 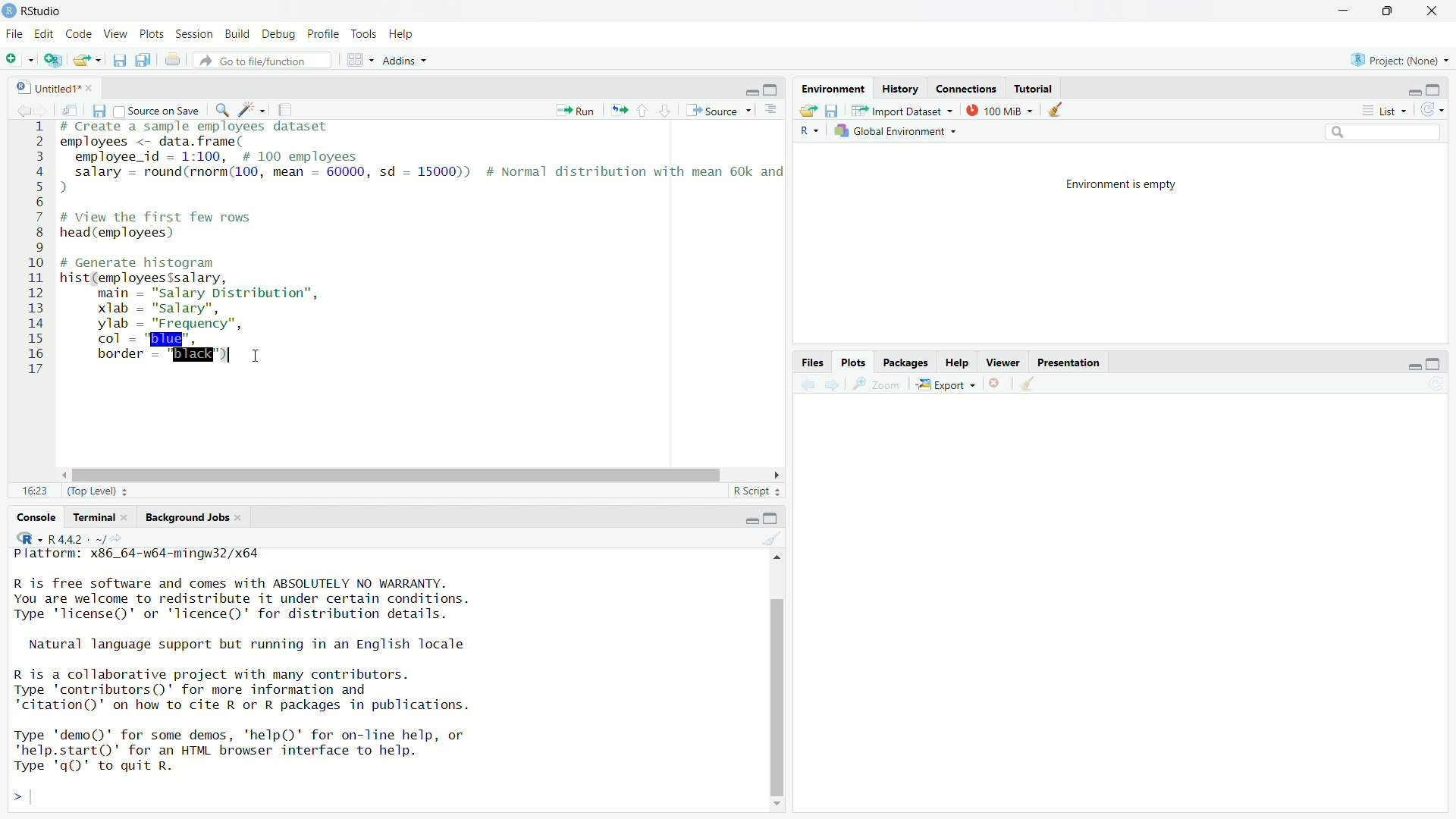 What do you see at coordinates (770, 518) in the screenshot?
I see `Maximise ` at bounding box center [770, 518].